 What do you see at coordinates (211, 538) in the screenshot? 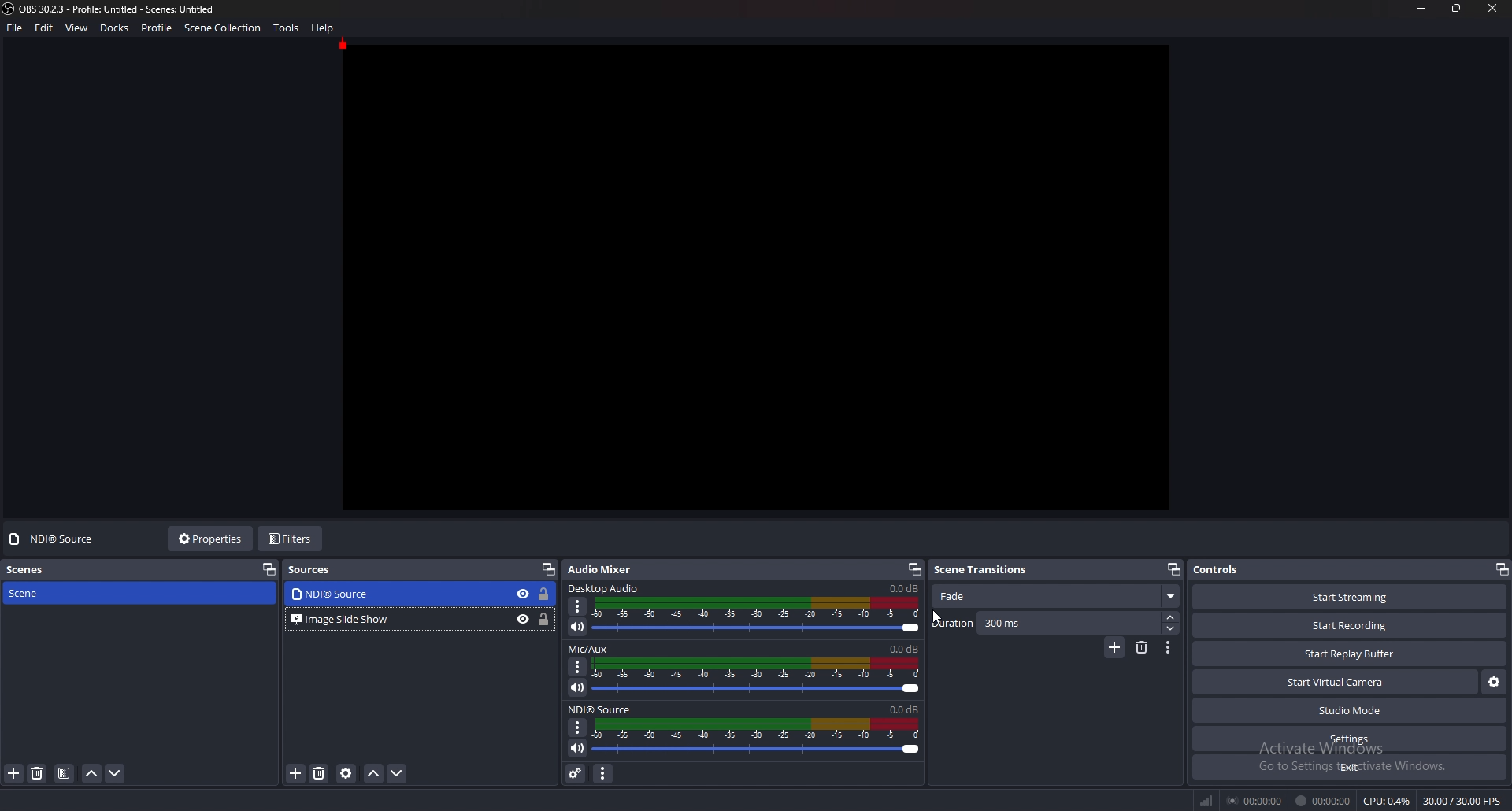
I see `properties` at bounding box center [211, 538].